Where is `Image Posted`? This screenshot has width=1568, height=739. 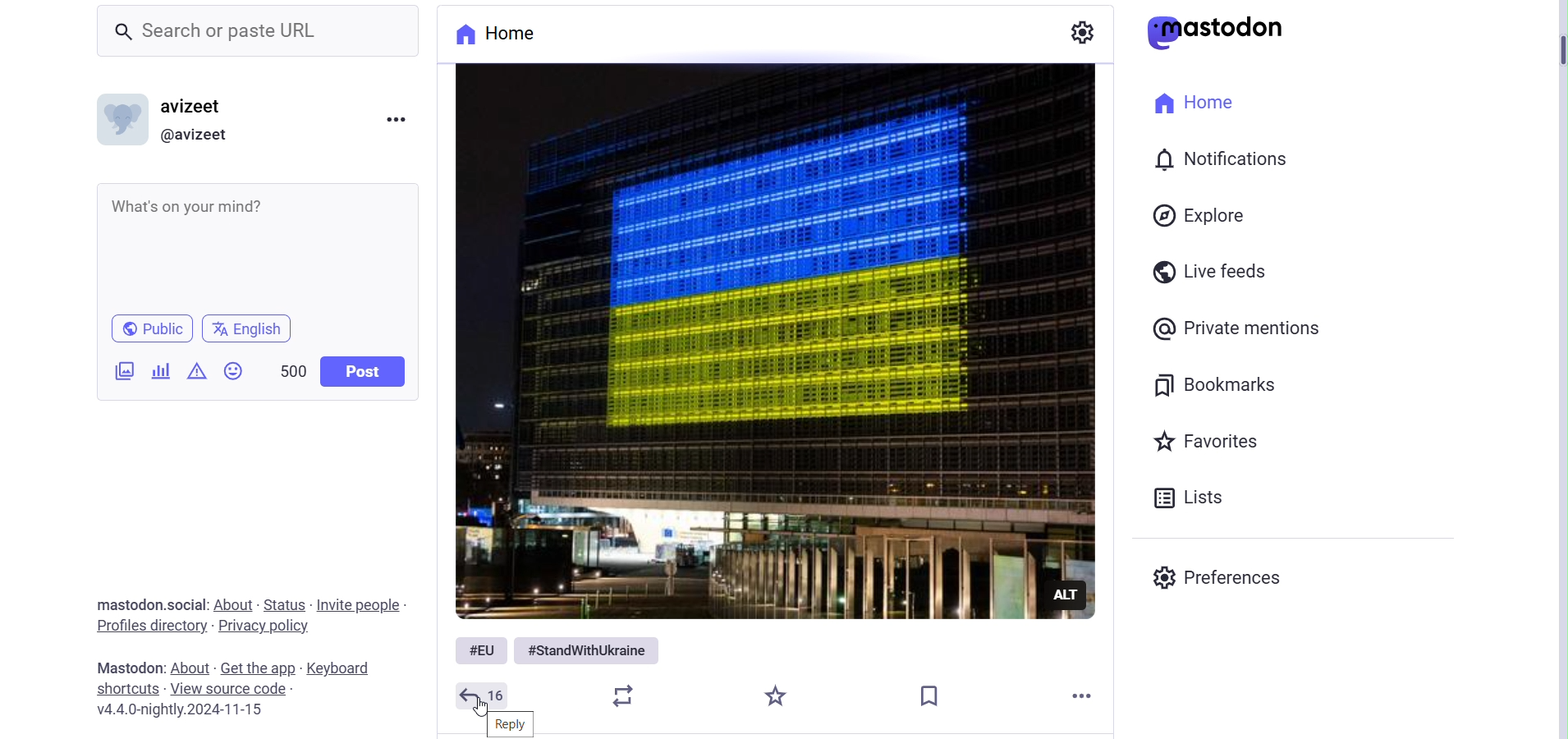 Image Posted is located at coordinates (766, 342).